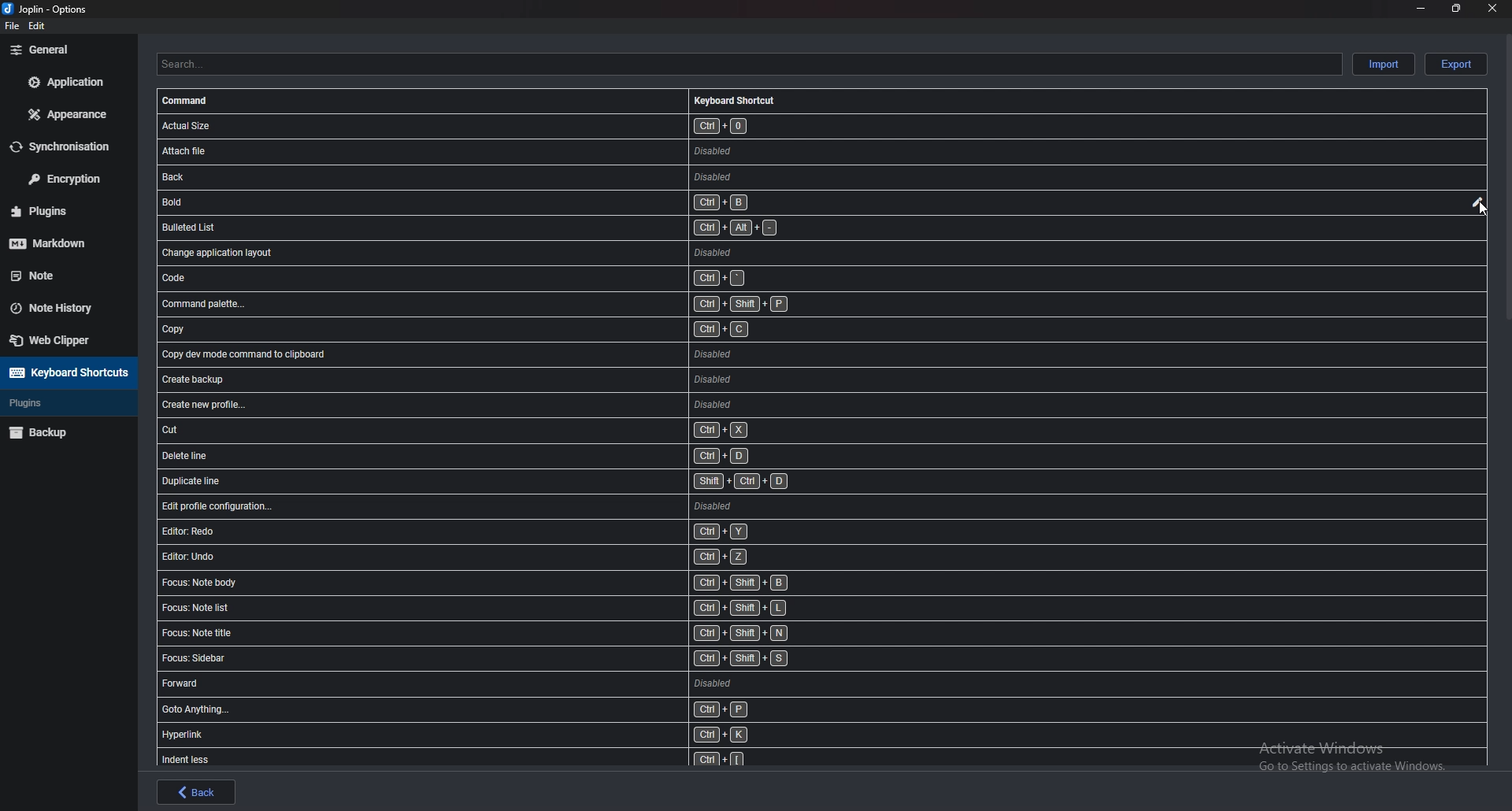  What do you see at coordinates (1384, 65) in the screenshot?
I see `Import` at bounding box center [1384, 65].